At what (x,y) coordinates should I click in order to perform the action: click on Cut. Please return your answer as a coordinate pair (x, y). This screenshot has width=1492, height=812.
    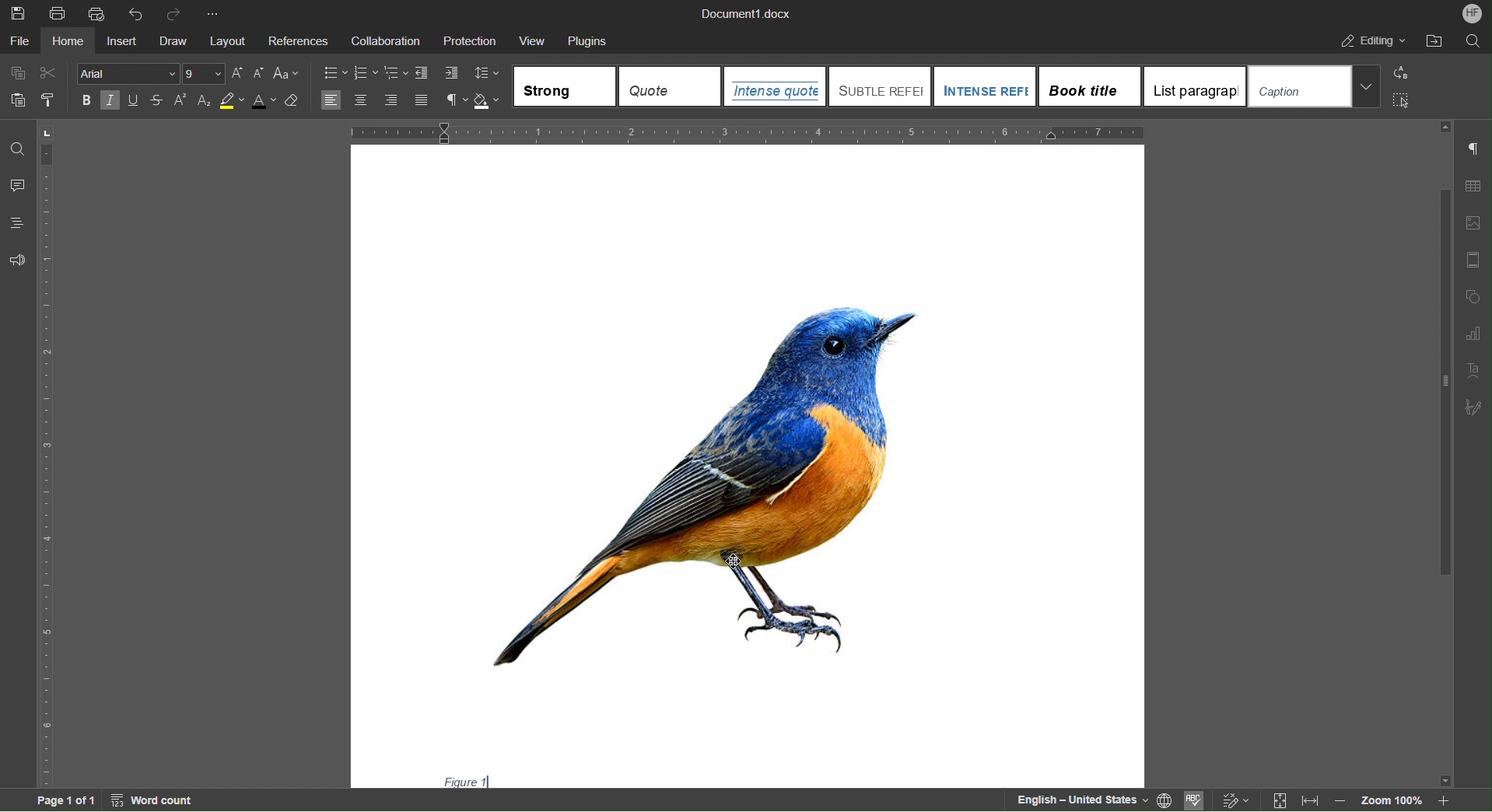
    Looking at the image, I should click on (49, 73).